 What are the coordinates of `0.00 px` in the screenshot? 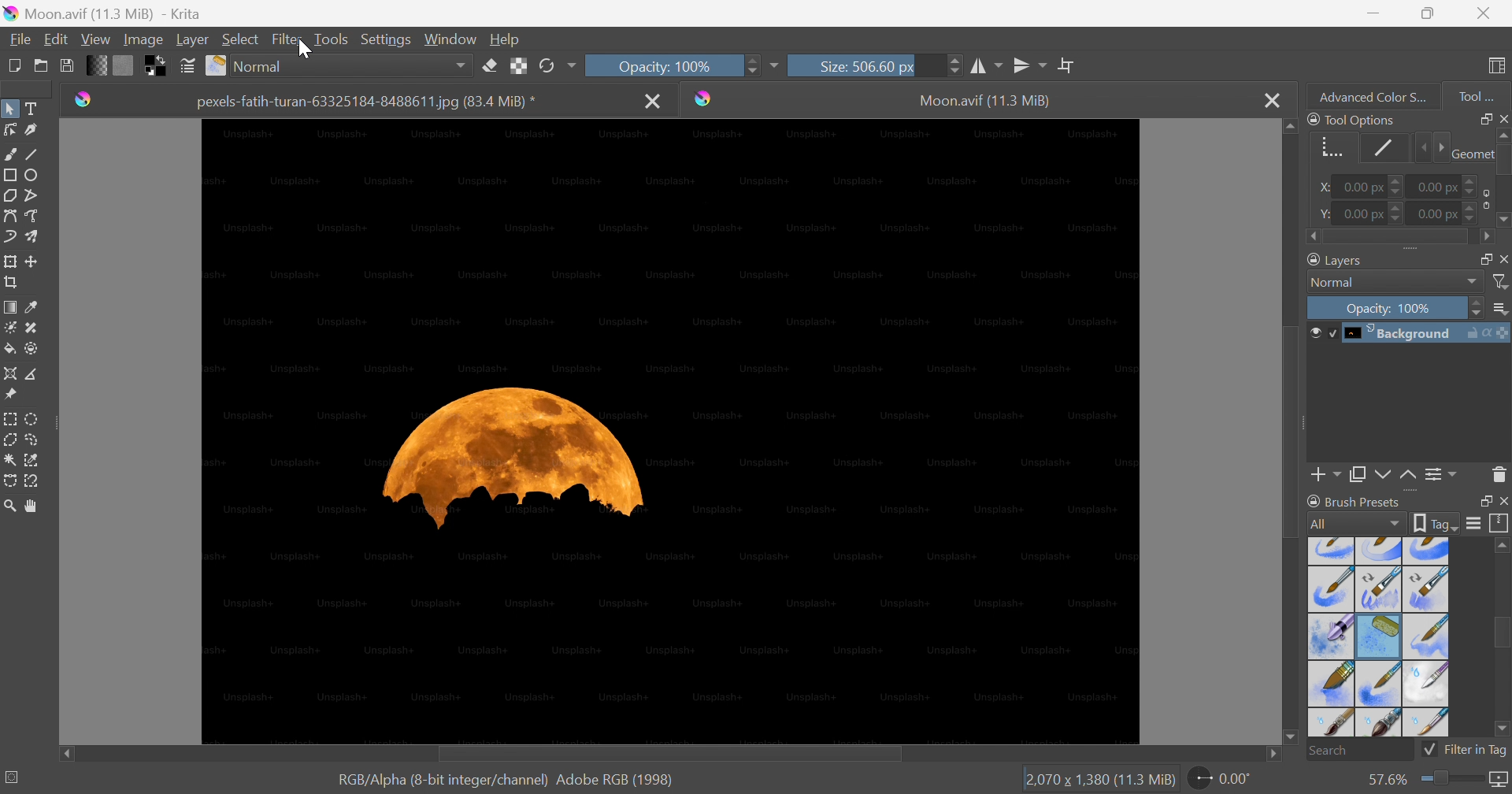 It's located at (1449, 184).